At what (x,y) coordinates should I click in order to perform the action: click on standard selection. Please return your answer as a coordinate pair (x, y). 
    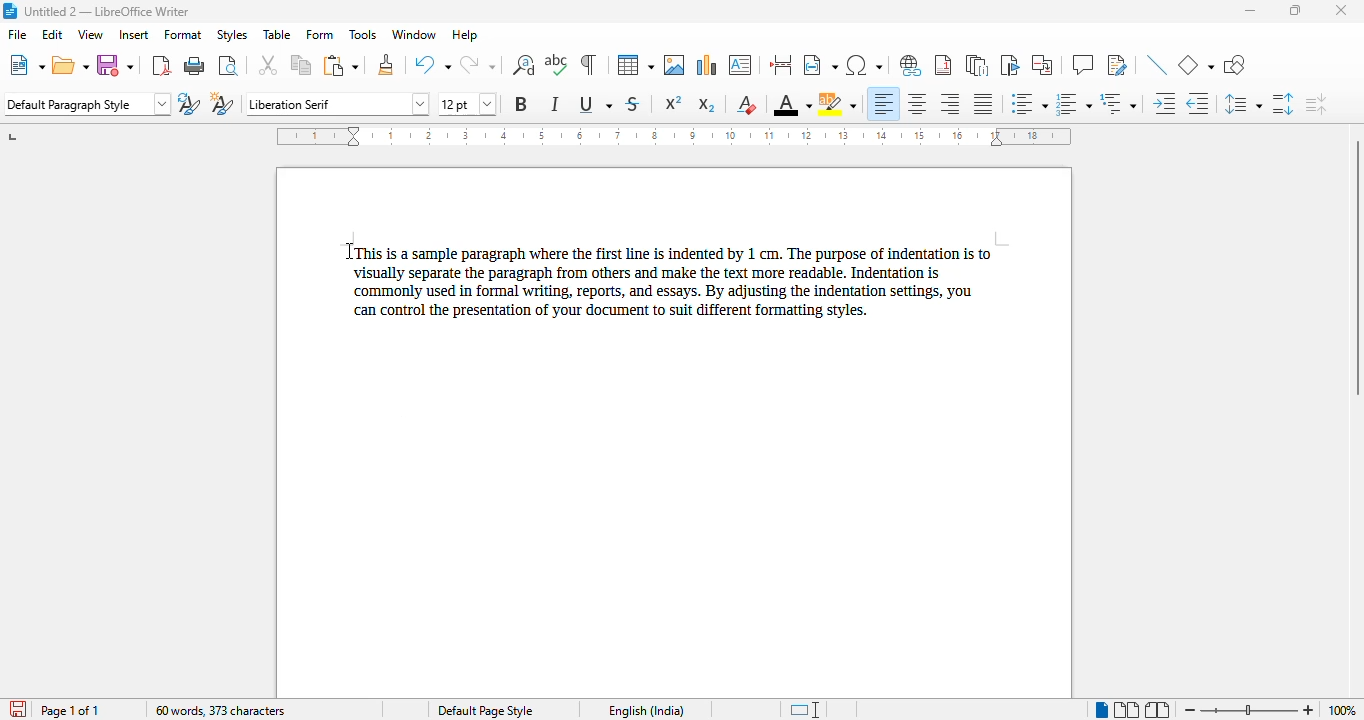
    Looking at the image, I should click on (803, 710).